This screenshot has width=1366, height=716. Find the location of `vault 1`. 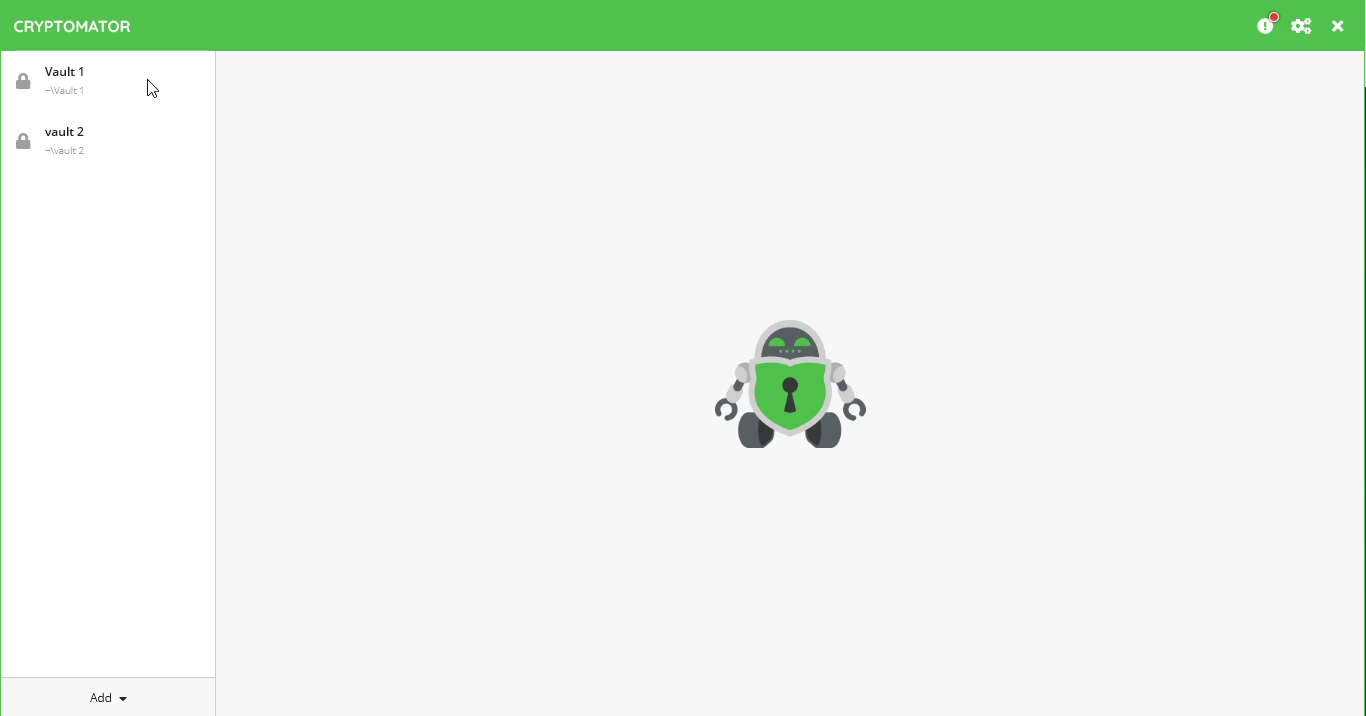

vault 1 is located at coordinates (60, 80).